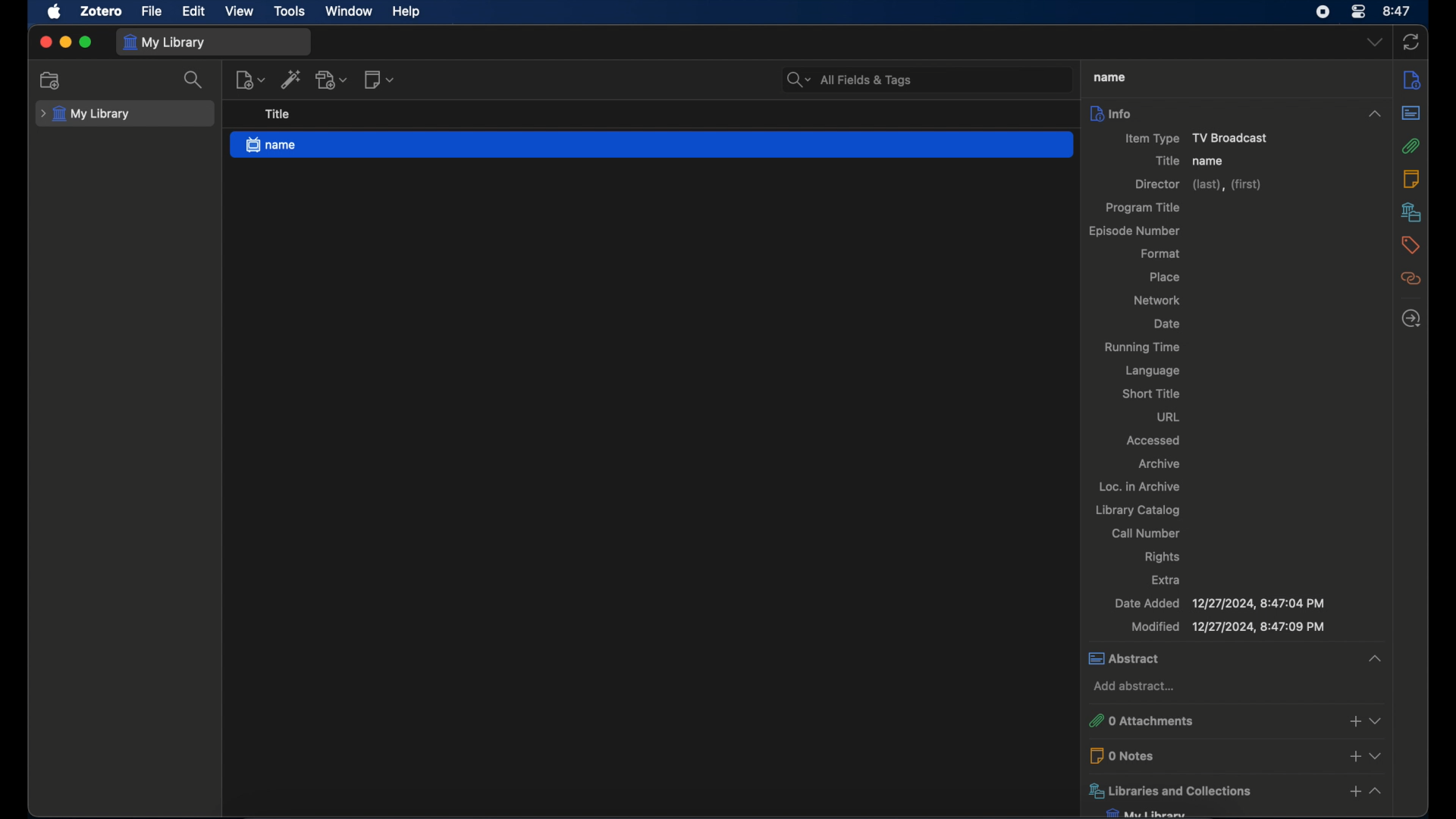 The width and height of the screenshot is (1456, 819). I want to click on collapse, so click(1375, 108).